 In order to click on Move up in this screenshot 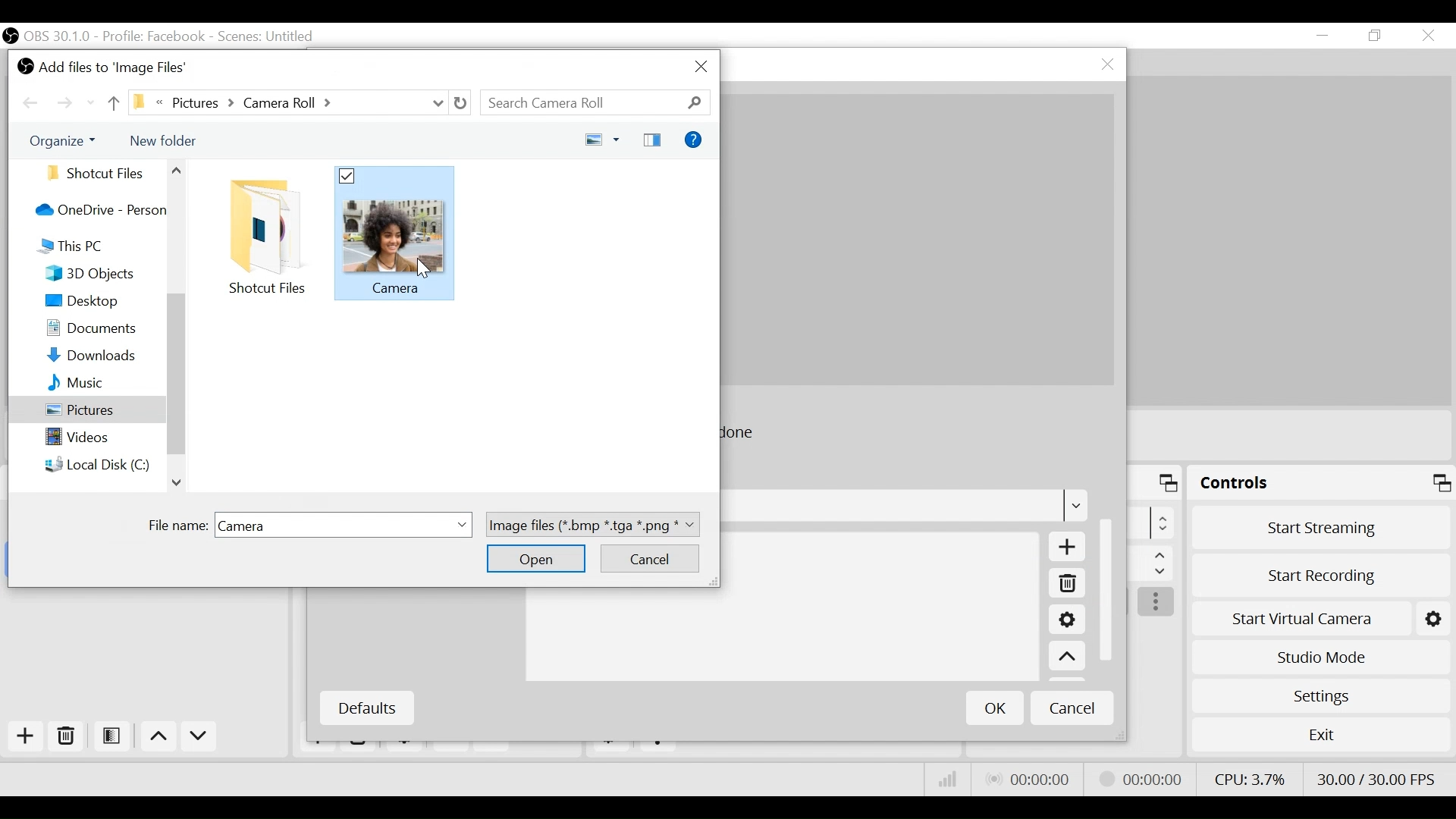, I will do `click(161, 739)`.